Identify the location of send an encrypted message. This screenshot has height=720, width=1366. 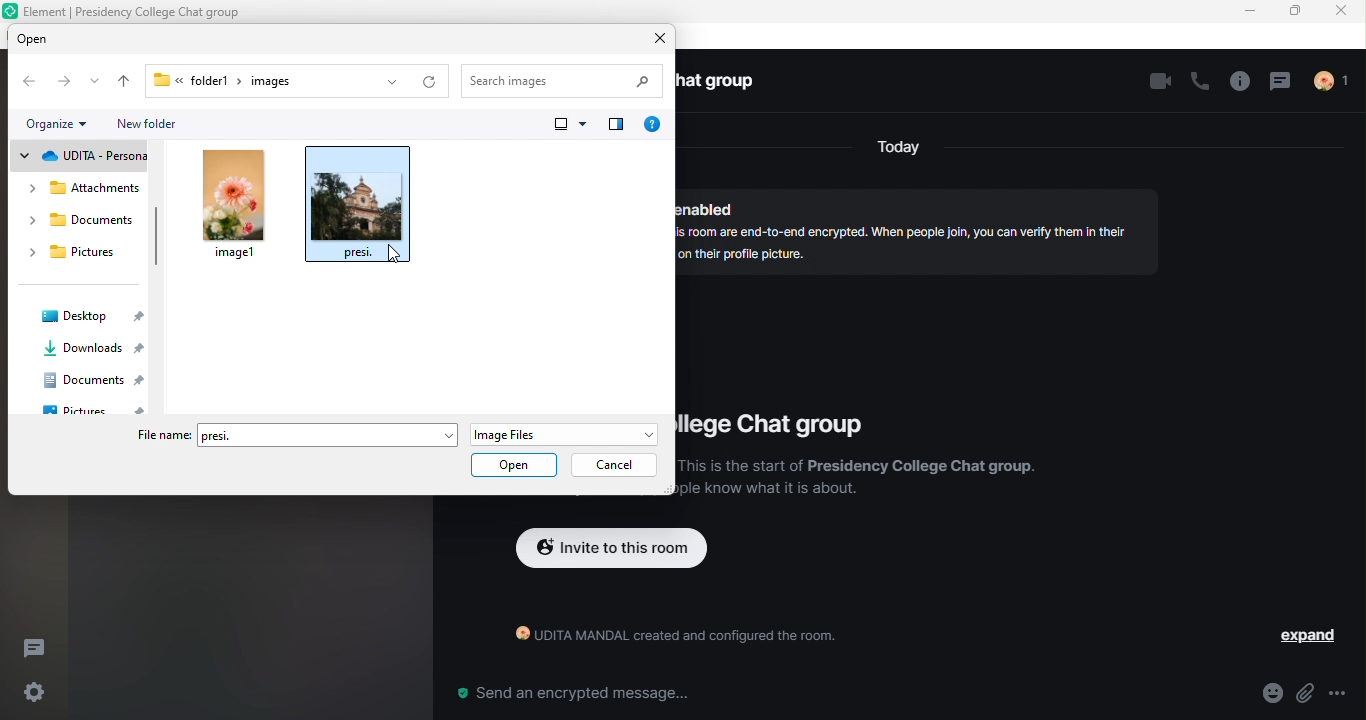
(571, 694).